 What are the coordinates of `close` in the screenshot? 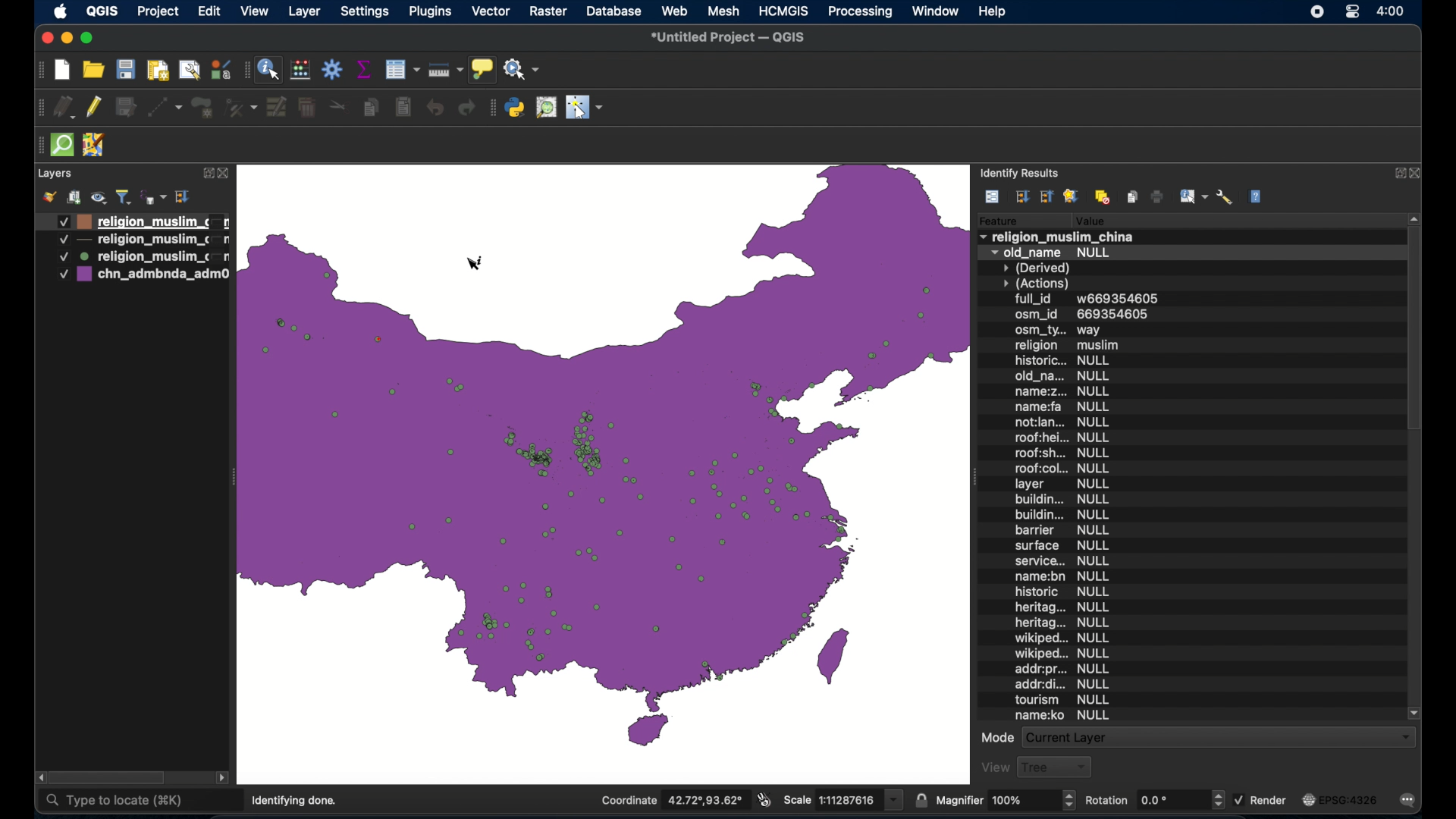 It's located at (225, 175).